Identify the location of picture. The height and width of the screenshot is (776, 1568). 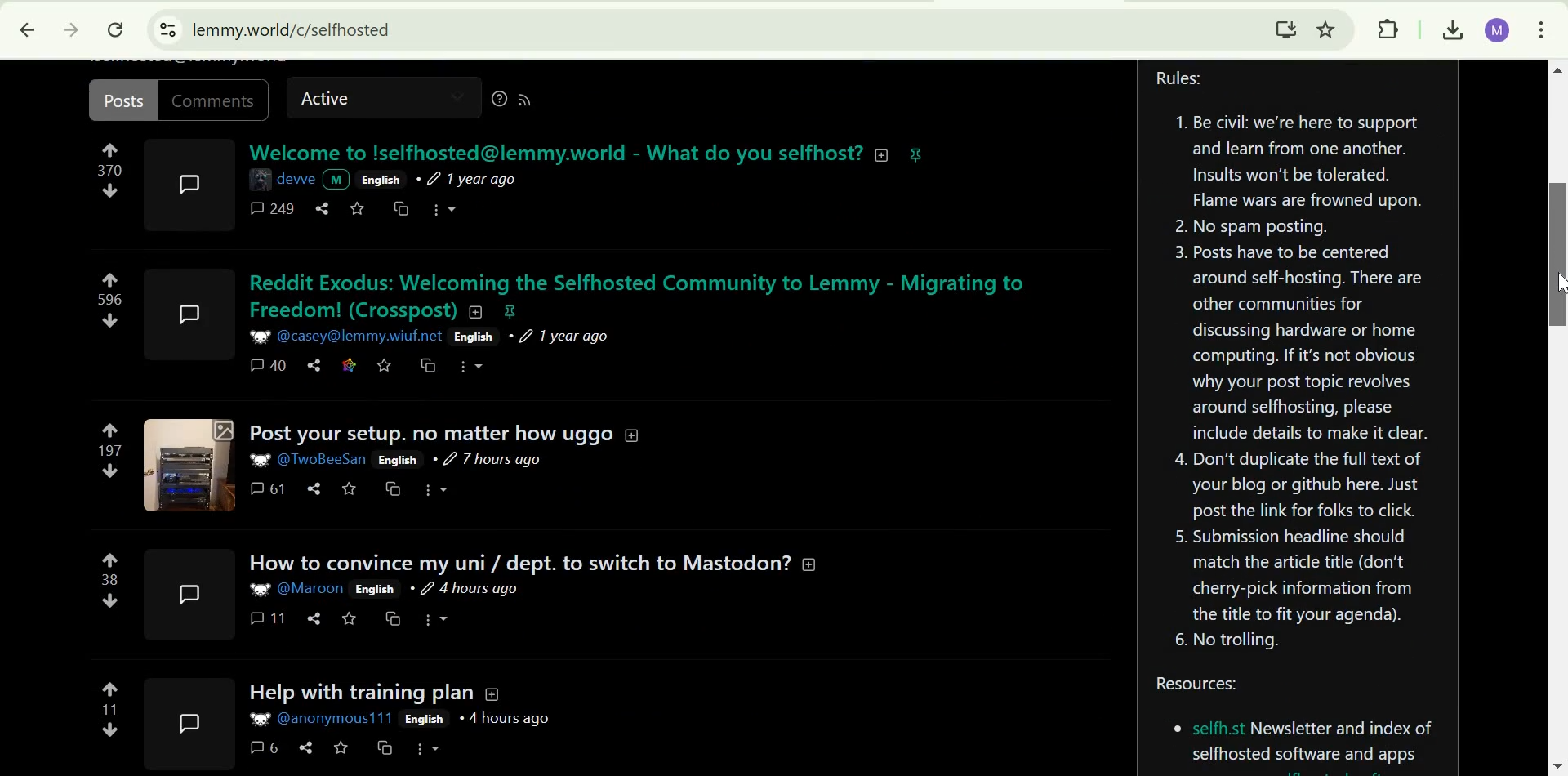
(260, 460).